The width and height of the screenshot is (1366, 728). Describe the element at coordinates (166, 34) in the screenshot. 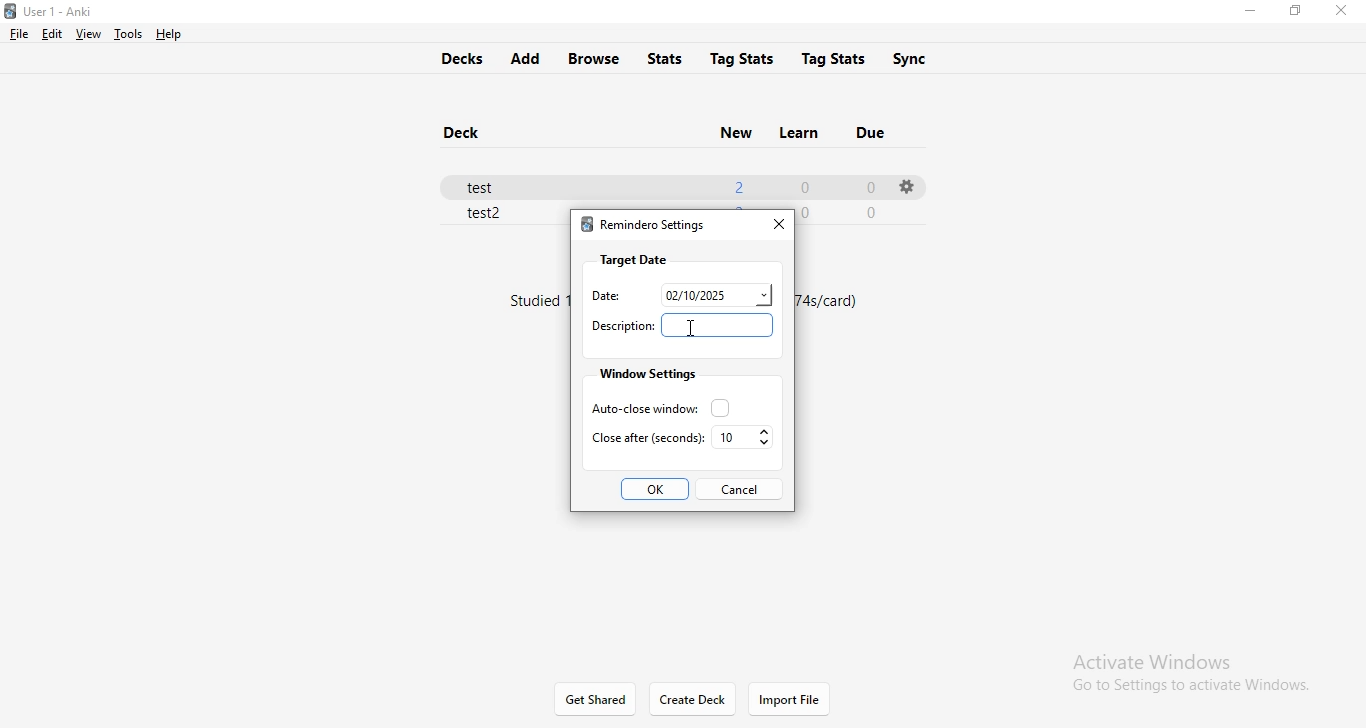

I see `help` at that location.